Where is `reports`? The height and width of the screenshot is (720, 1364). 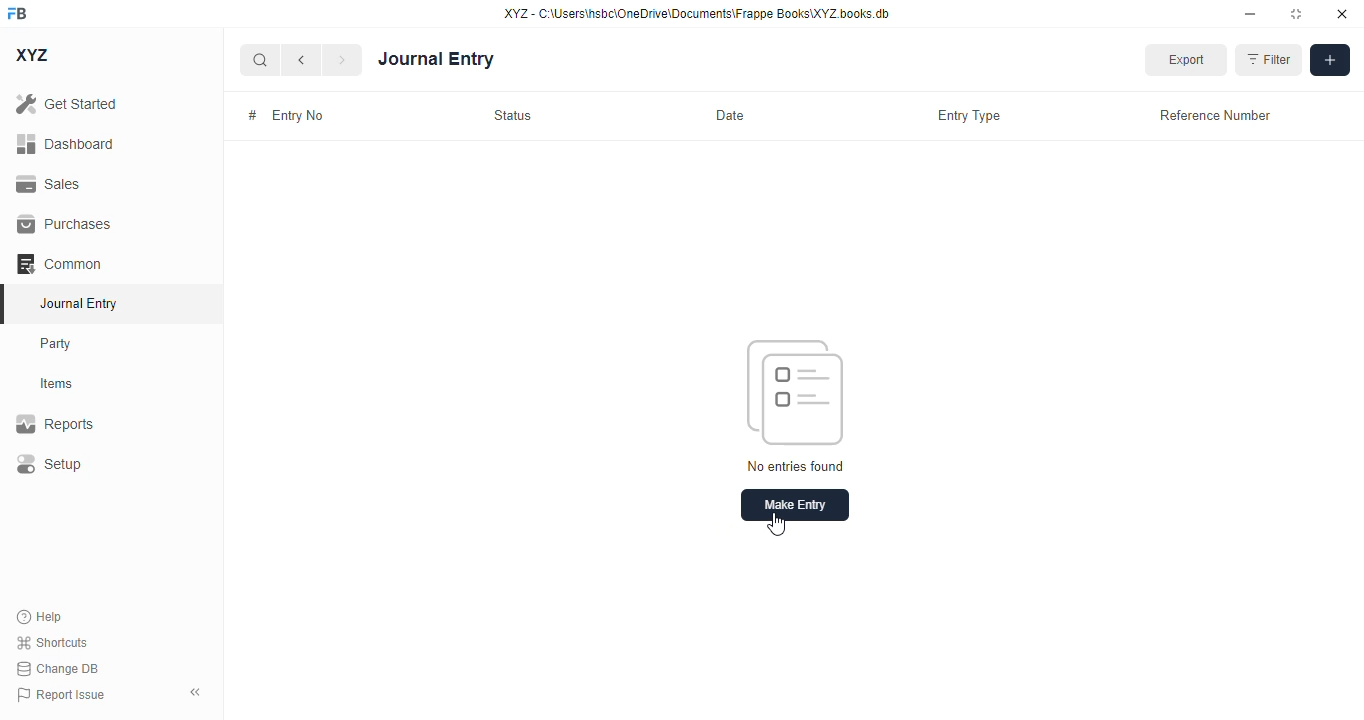
reports is located at coordinates (55, 423).